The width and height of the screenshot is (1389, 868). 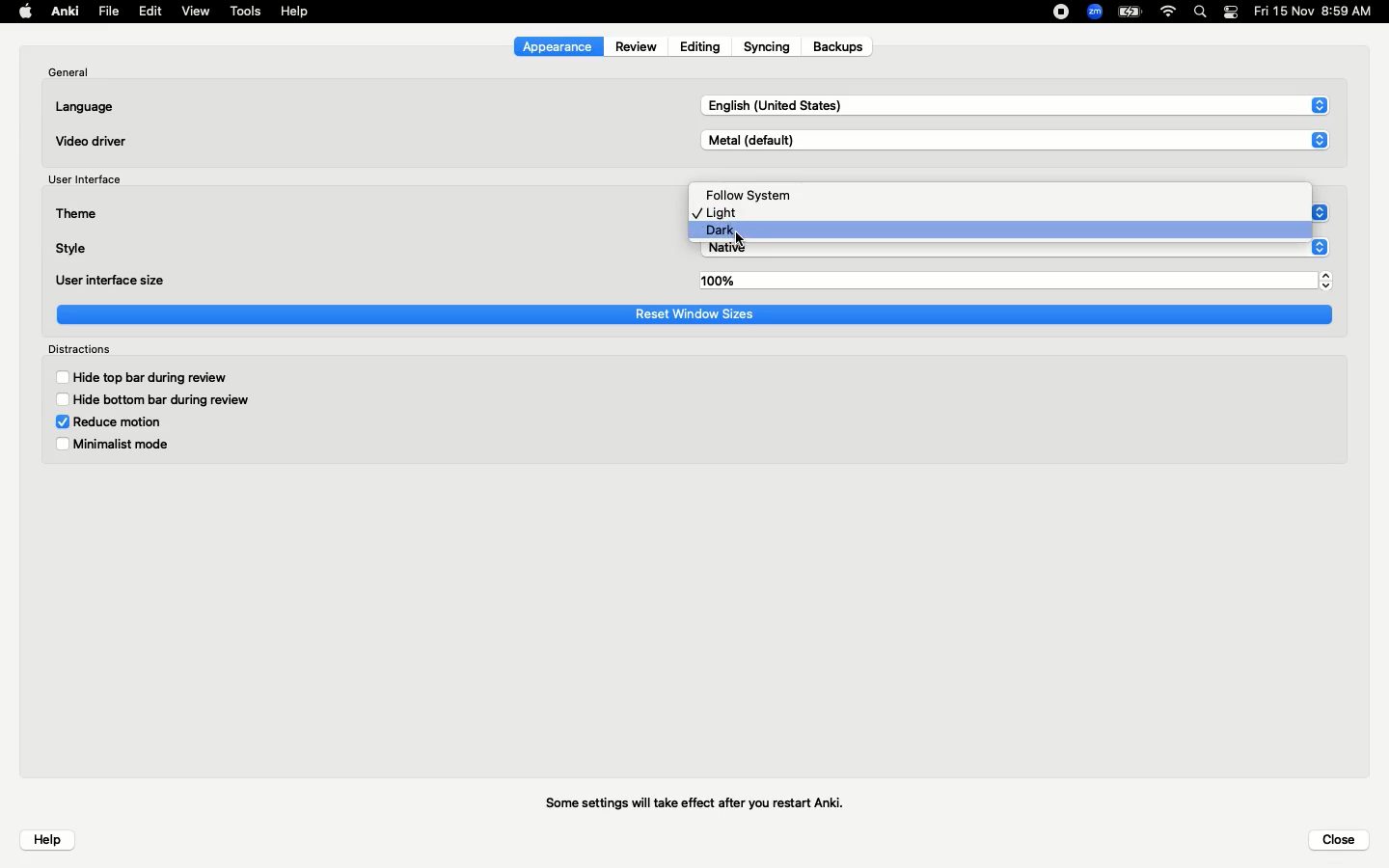 What do you see at coordinates (1094, 13) in the screenshot?
I see `Zoom` at bounding box center [1094, 13].